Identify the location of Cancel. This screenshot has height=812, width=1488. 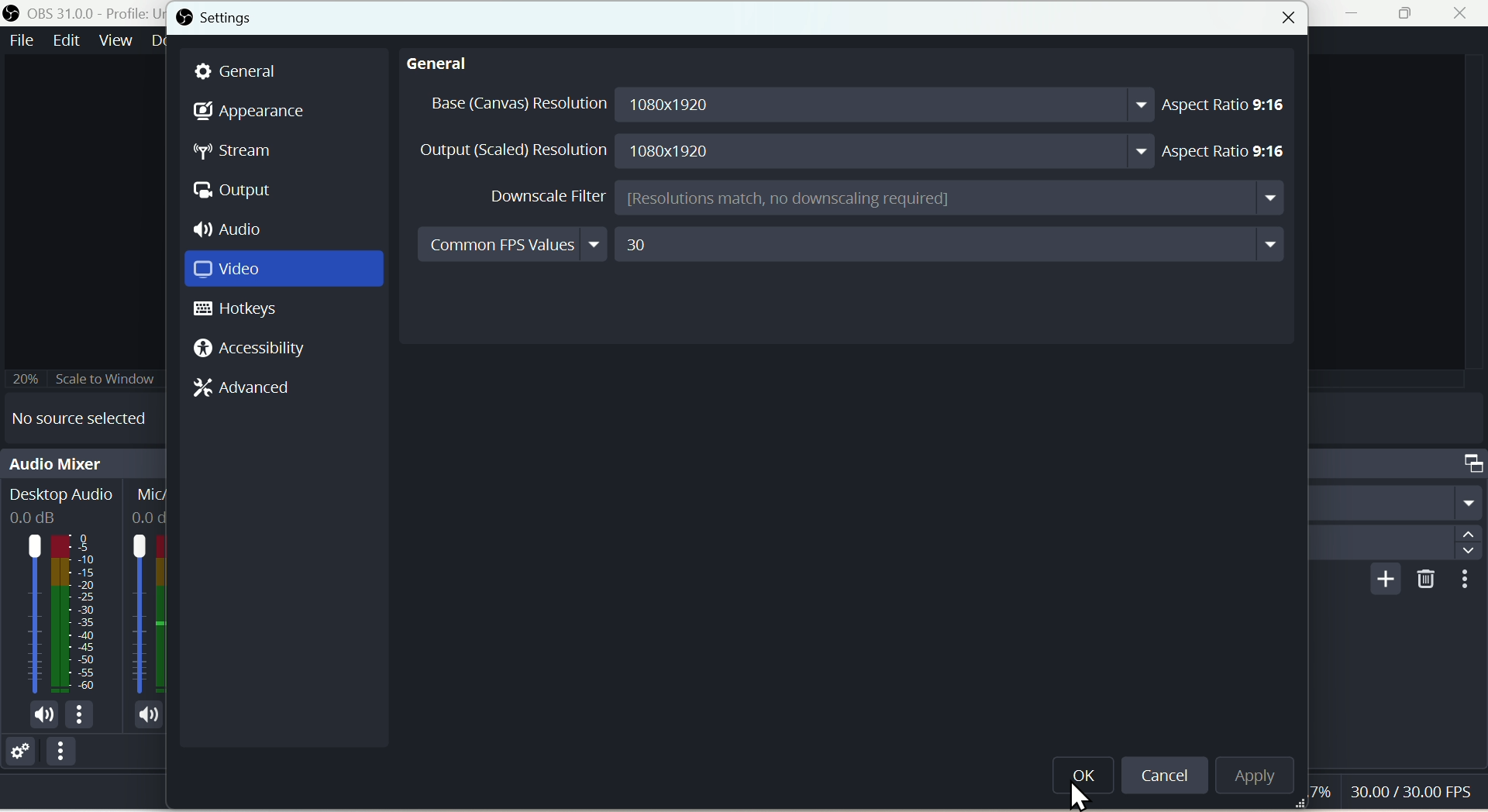
(1166, 776).